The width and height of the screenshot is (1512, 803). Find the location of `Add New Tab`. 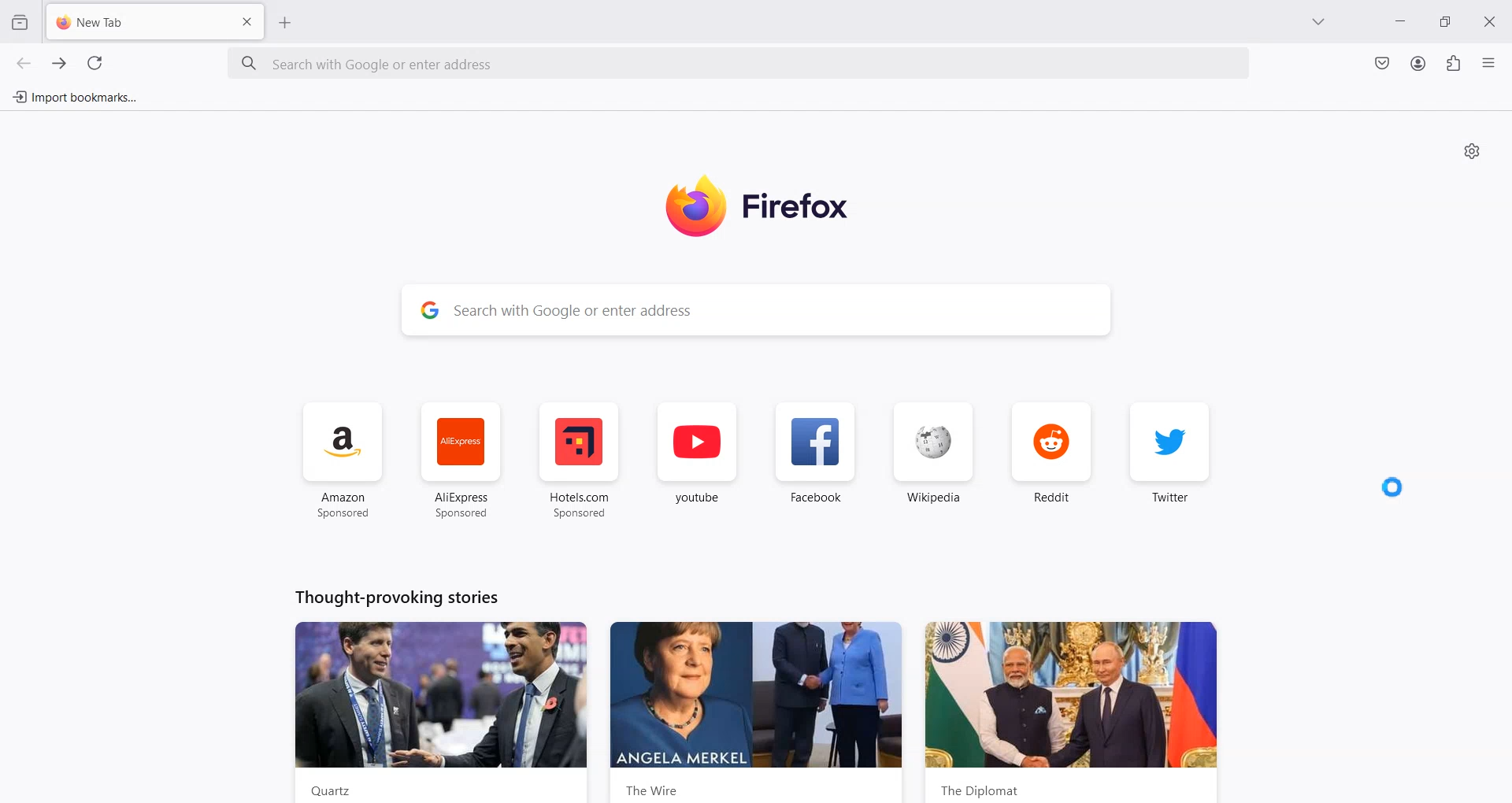

Add New Tab is located at coordinates (286, 22).